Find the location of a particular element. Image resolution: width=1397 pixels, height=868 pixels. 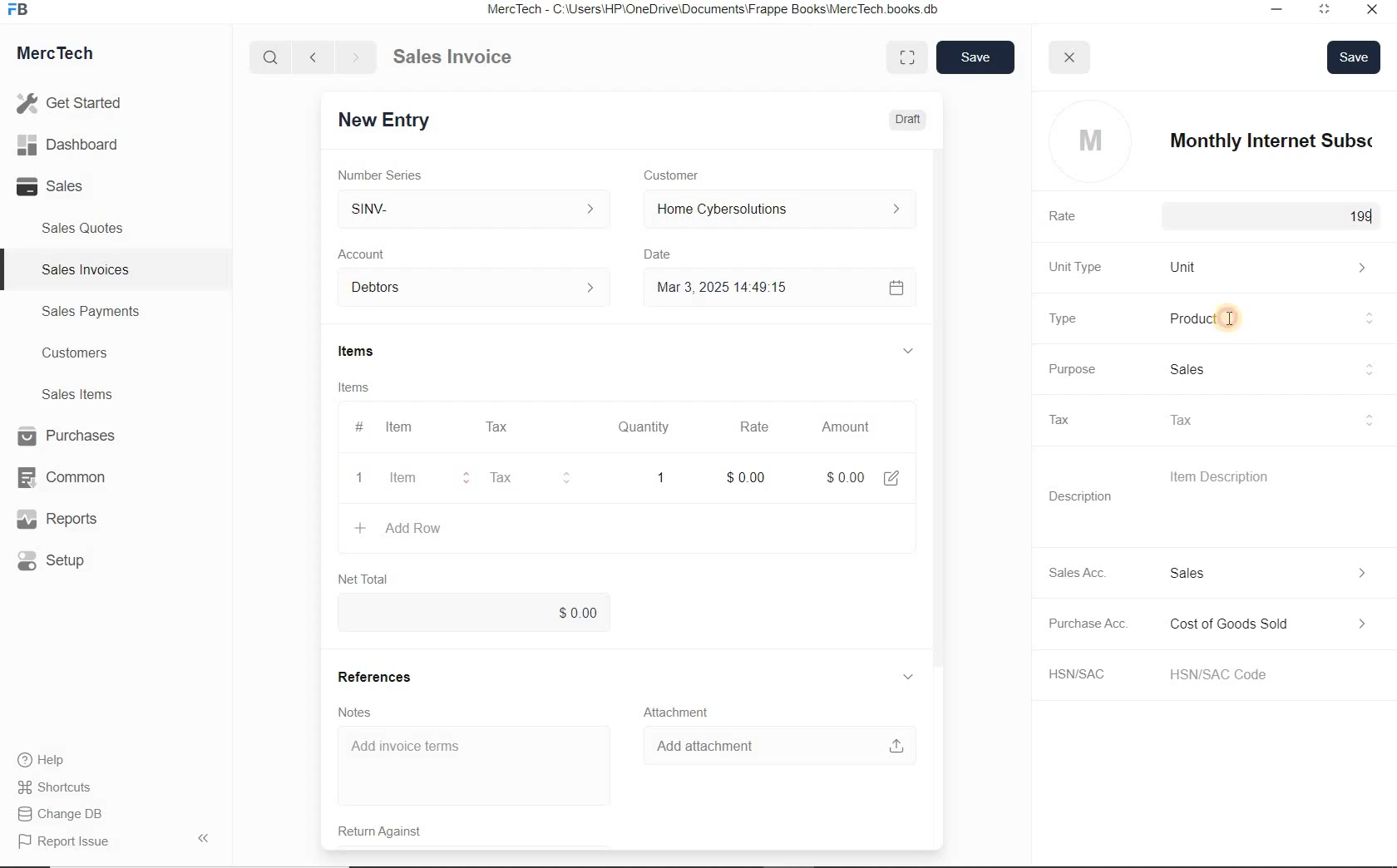

create is located at coordinates (358, 527).